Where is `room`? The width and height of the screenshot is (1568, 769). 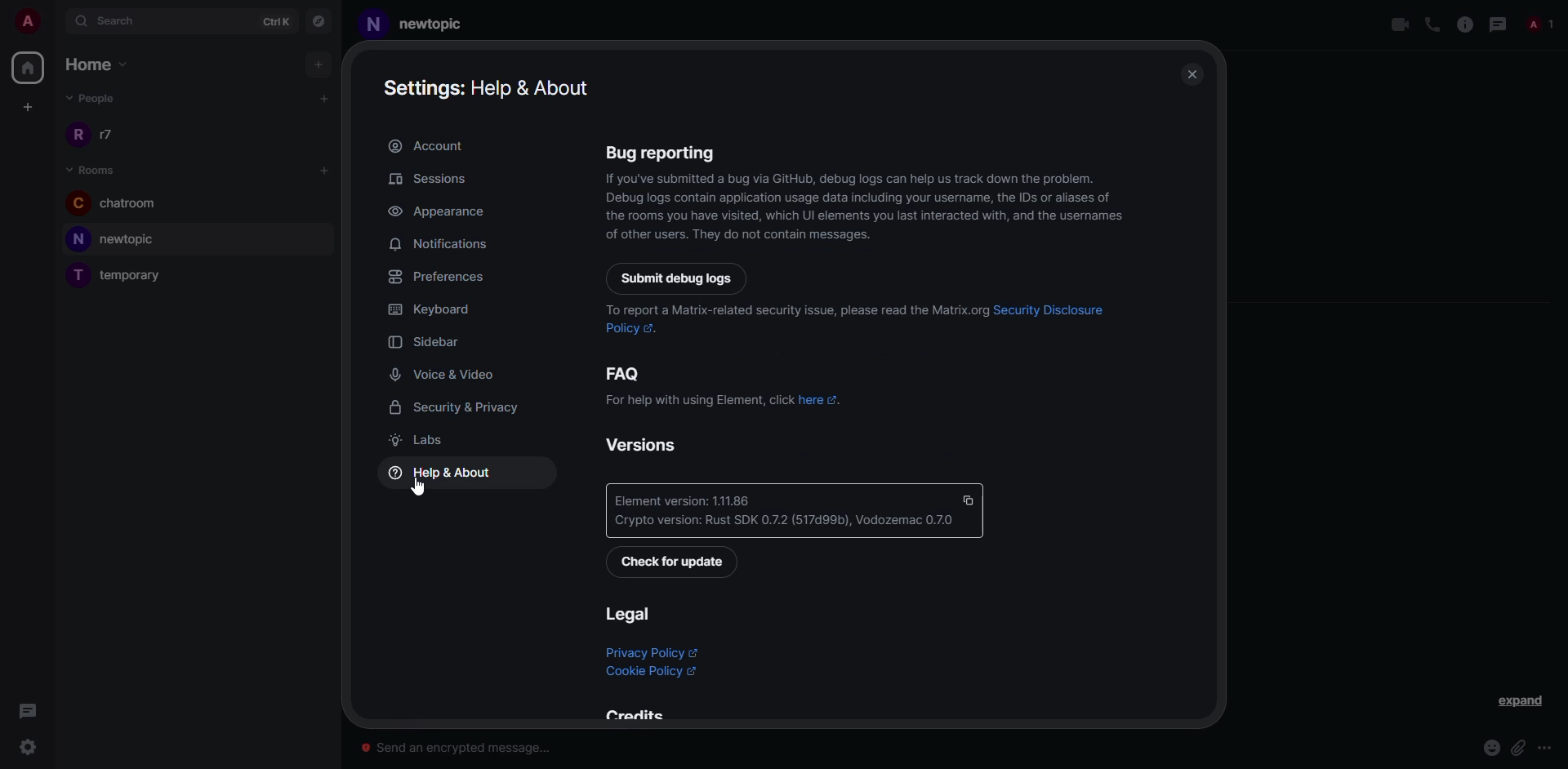 room is located at coordinates (126, 276).